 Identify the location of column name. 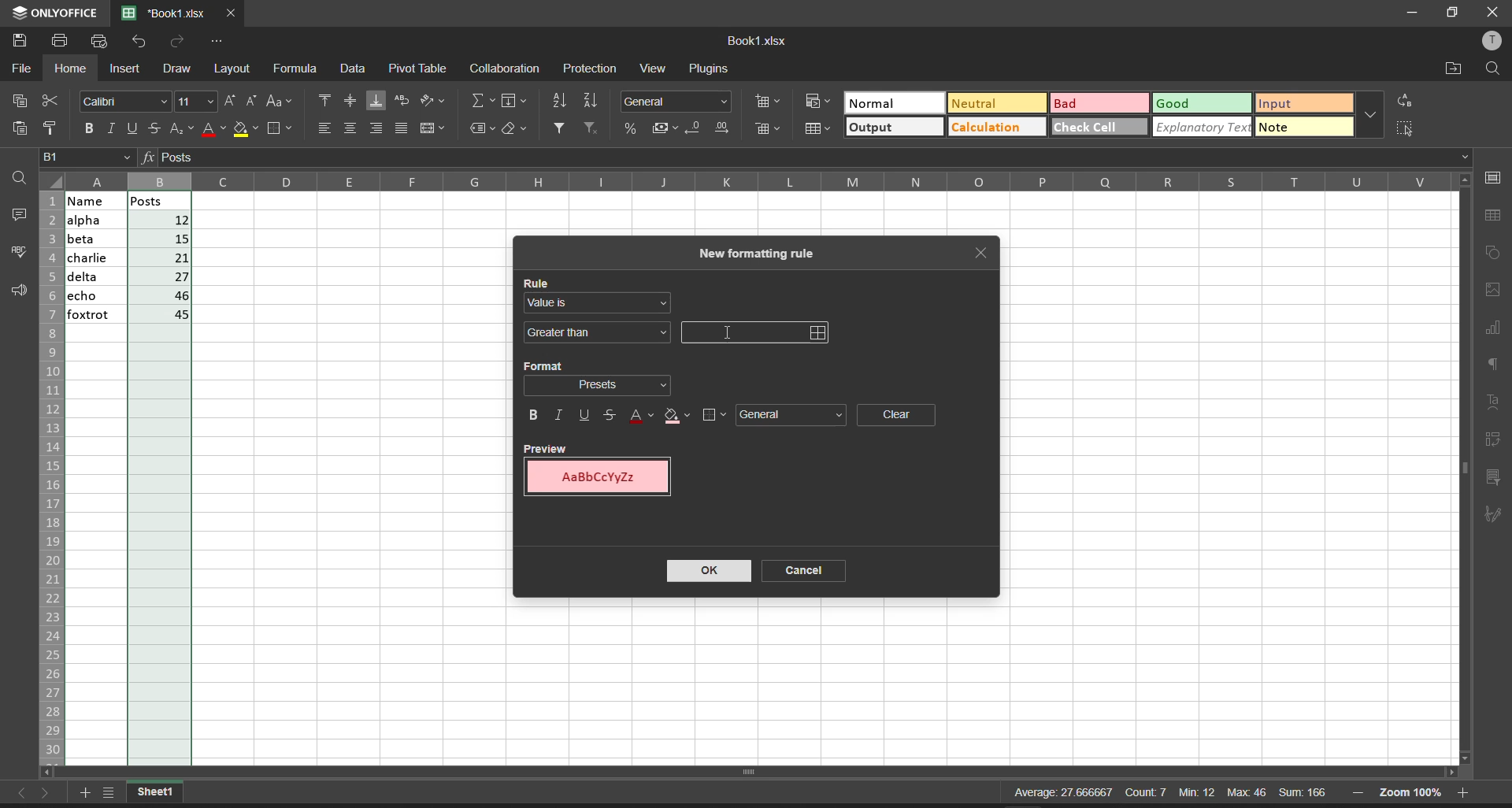
(764, 179).